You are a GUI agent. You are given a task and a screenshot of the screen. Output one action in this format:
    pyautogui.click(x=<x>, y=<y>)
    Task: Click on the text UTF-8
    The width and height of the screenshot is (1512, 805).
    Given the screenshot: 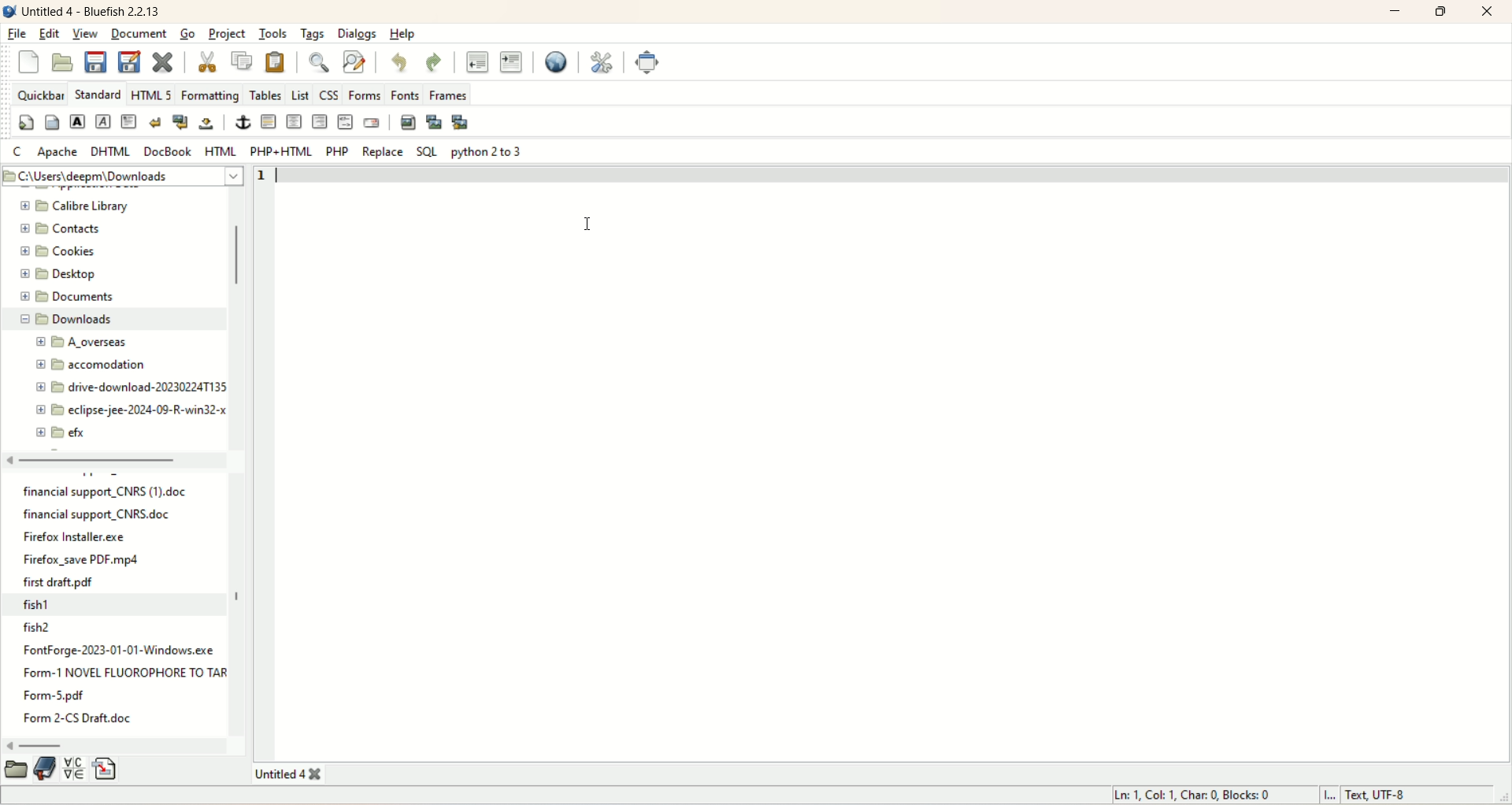 What is the action you would take?
    pyautogui.click(x=1385, y=796)
    